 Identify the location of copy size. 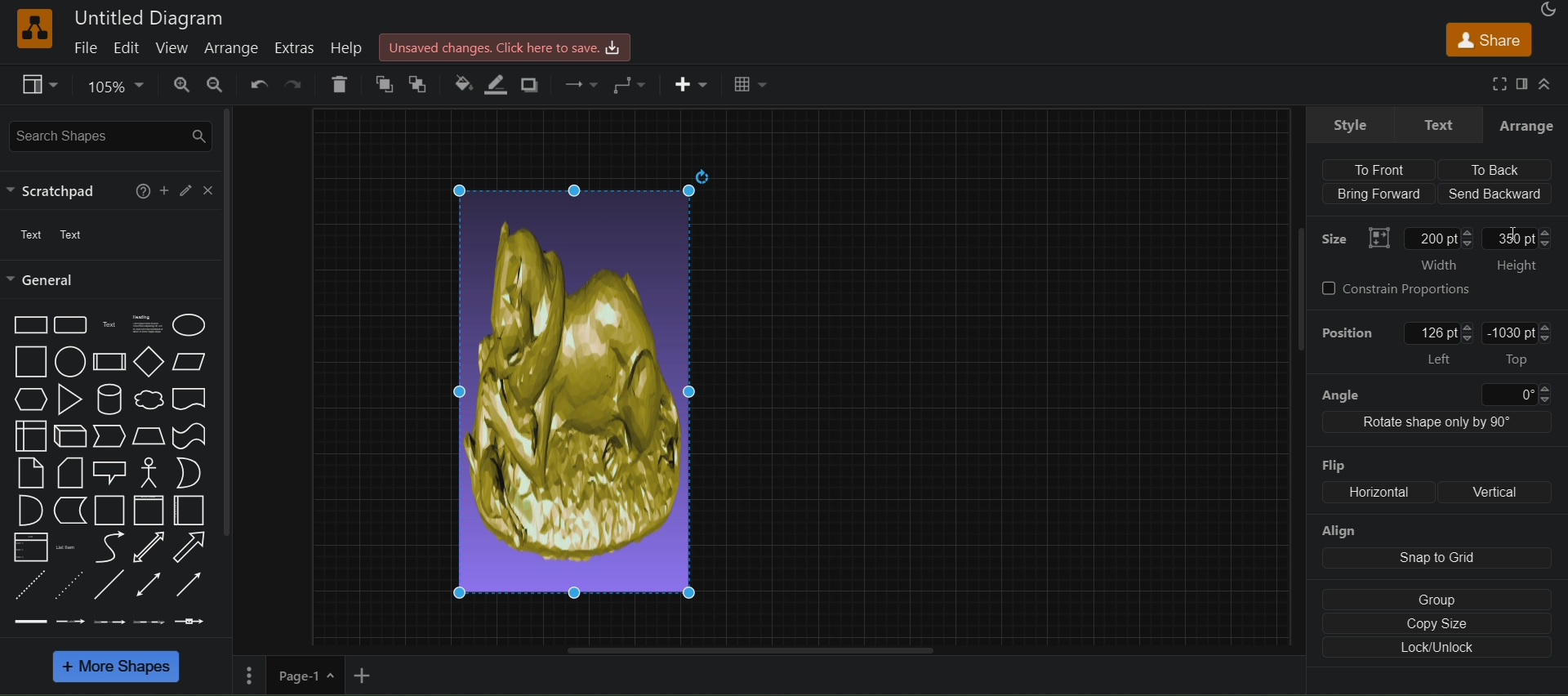
(1437, 625).